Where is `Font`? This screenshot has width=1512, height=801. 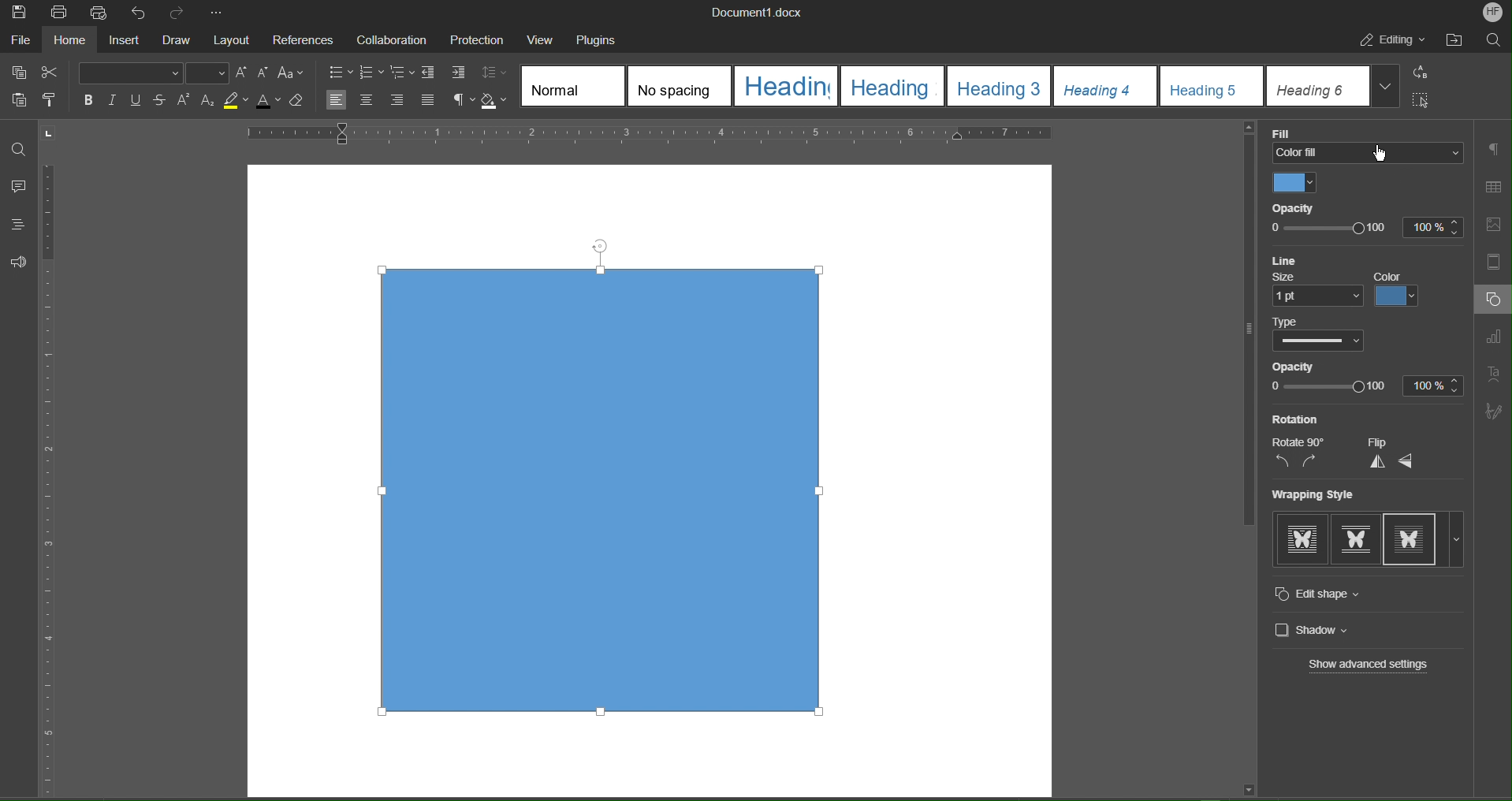
Font is located at coordinates (129, 73).